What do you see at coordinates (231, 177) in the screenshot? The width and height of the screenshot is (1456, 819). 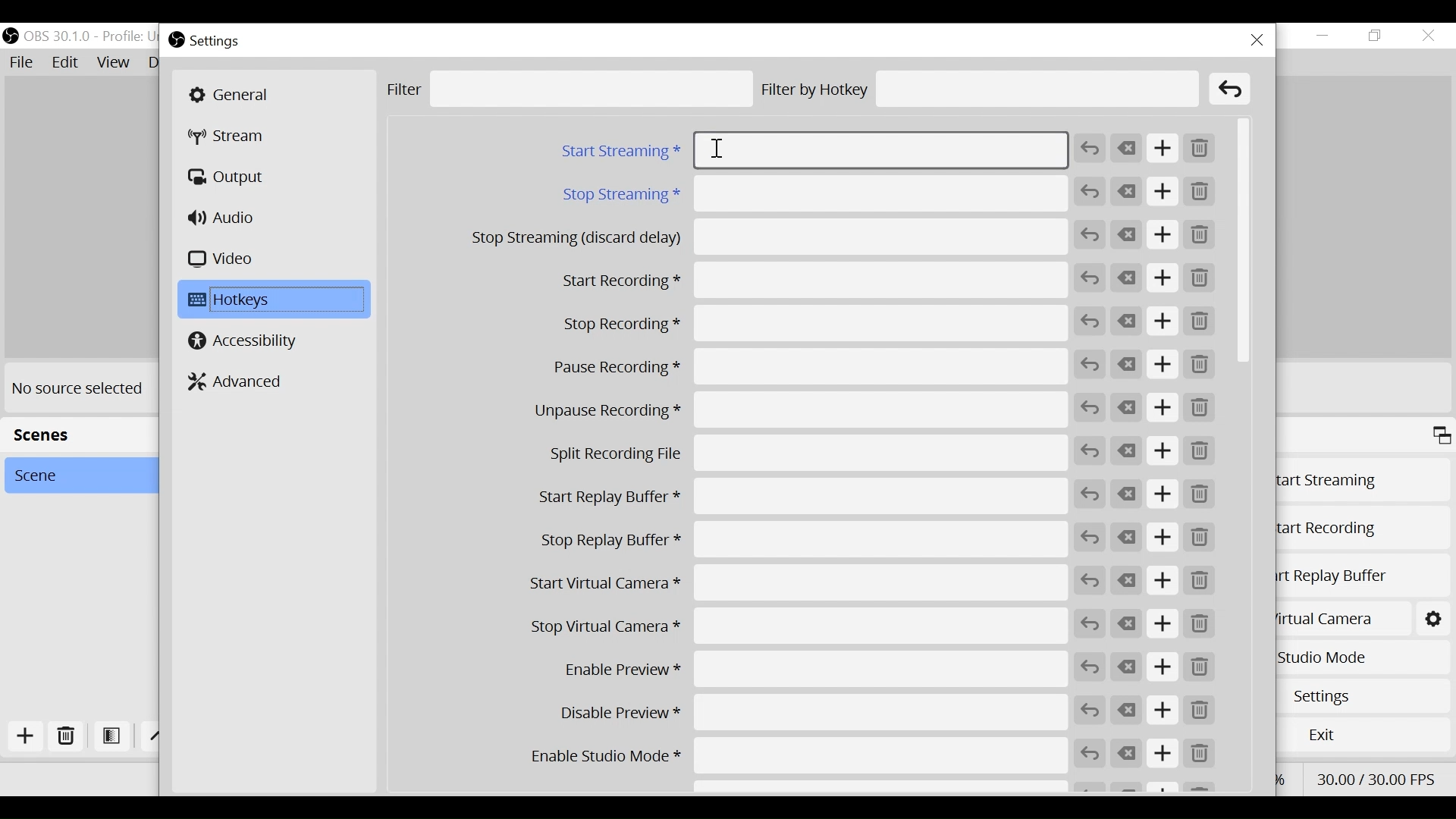 I see `Output` at bounding box center [231, 177].